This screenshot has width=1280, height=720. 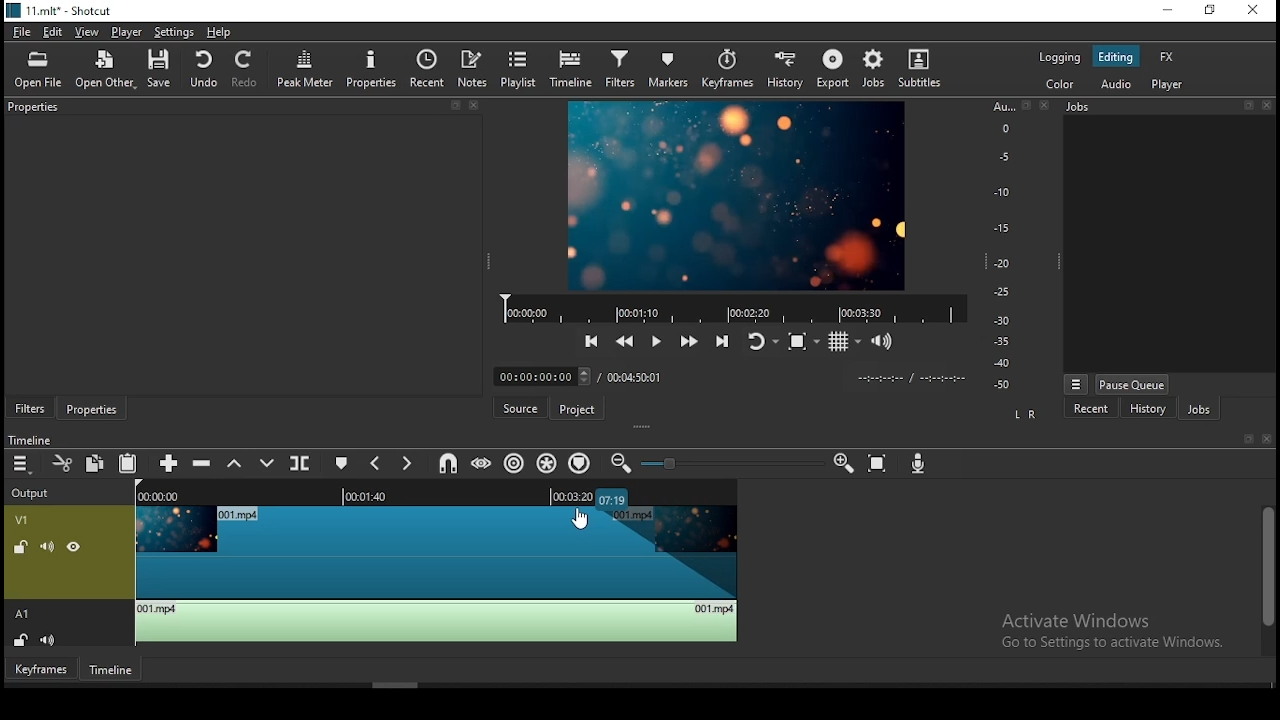 What do you see at coordinates (54, 32) in the screenshot?
I see `edit` at bounding box center [54, 32].